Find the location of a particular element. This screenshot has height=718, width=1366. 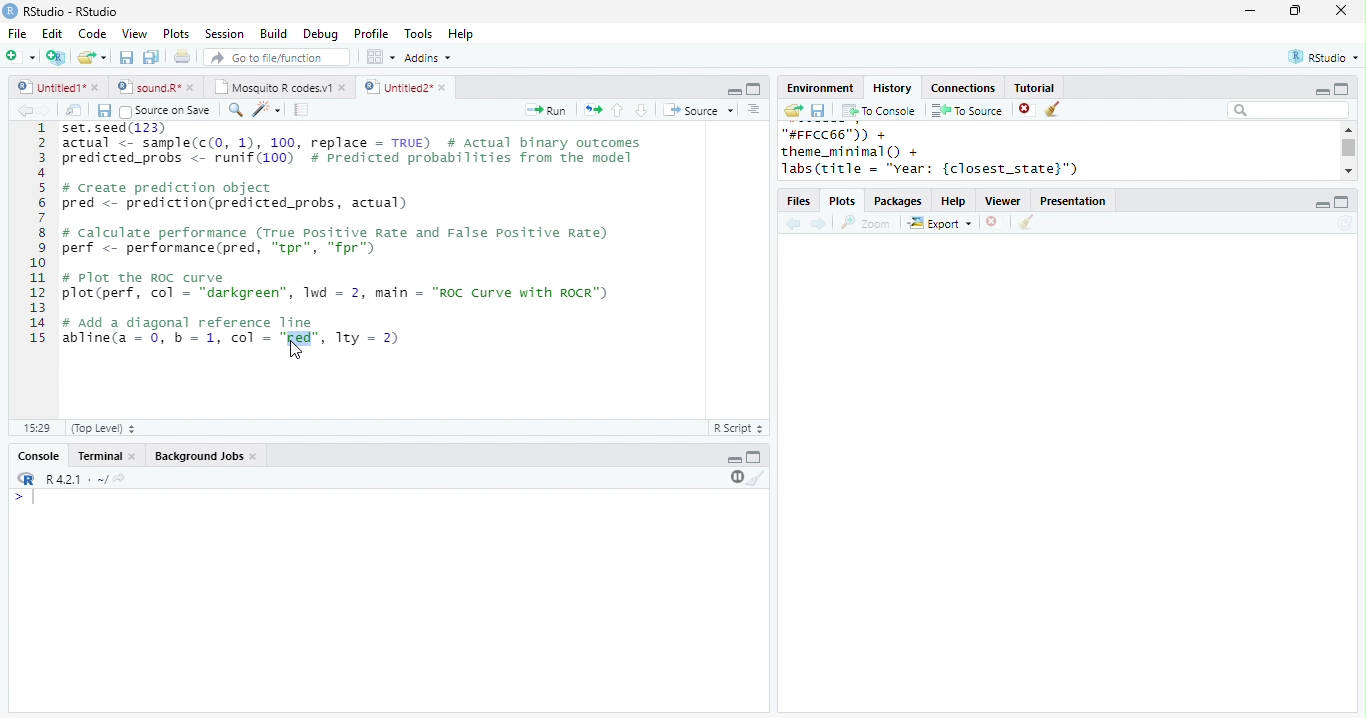

Background Jobs is located at coordinates (198, 456).